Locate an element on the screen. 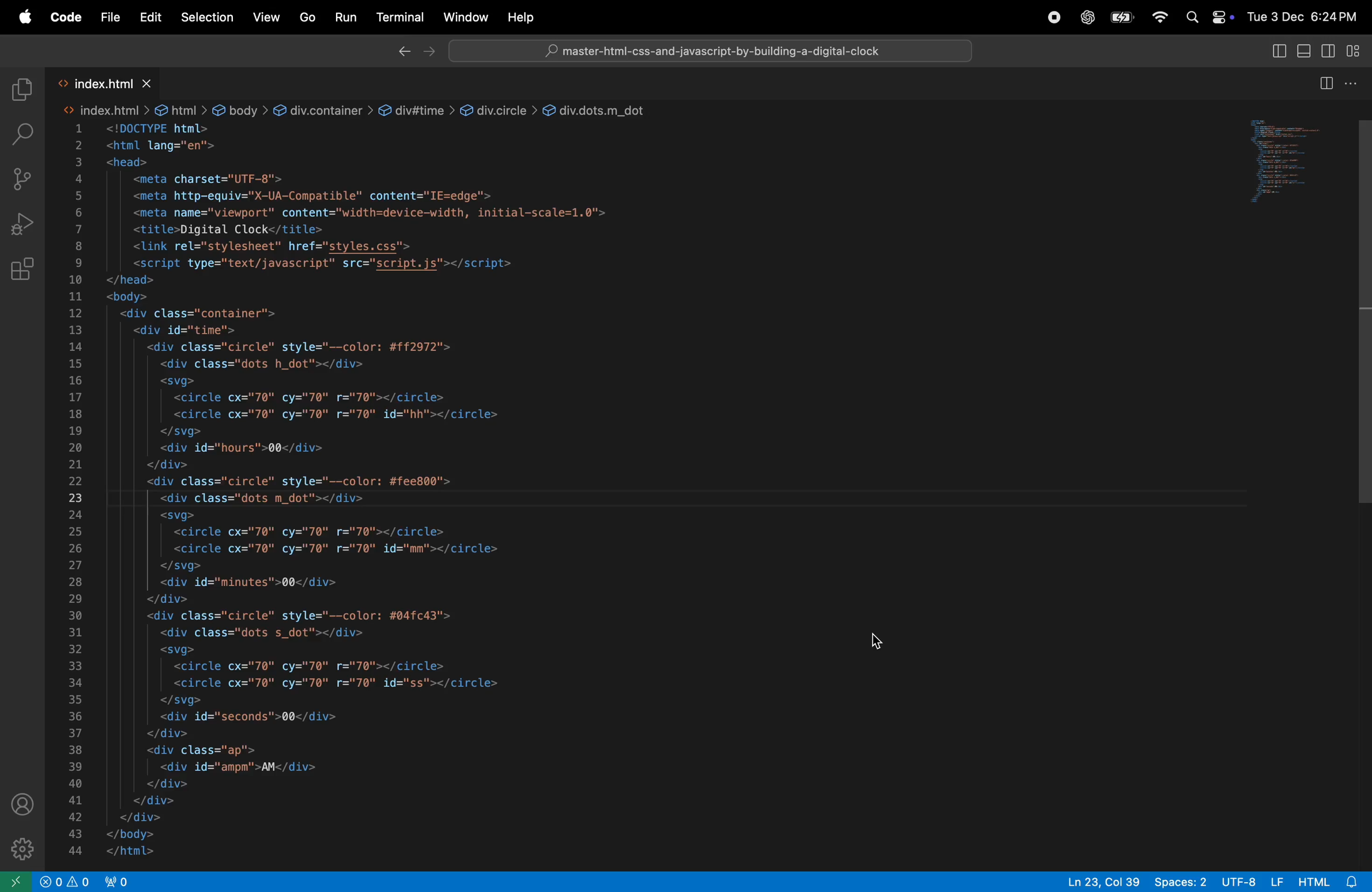  preview window is located at coordinates (1279, 162).